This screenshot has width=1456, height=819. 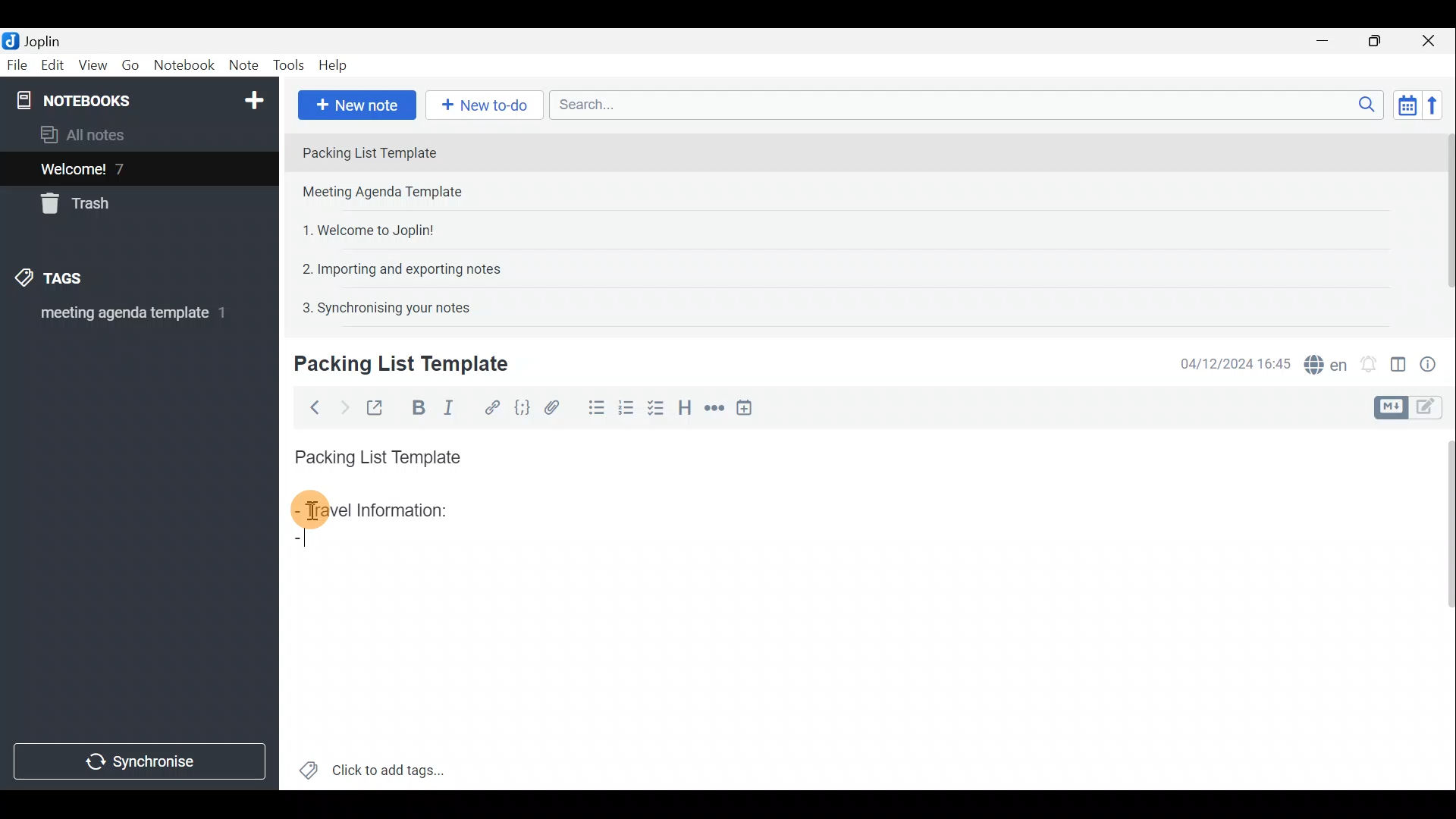 I want to click on Edit, so click(x=49, y=66).